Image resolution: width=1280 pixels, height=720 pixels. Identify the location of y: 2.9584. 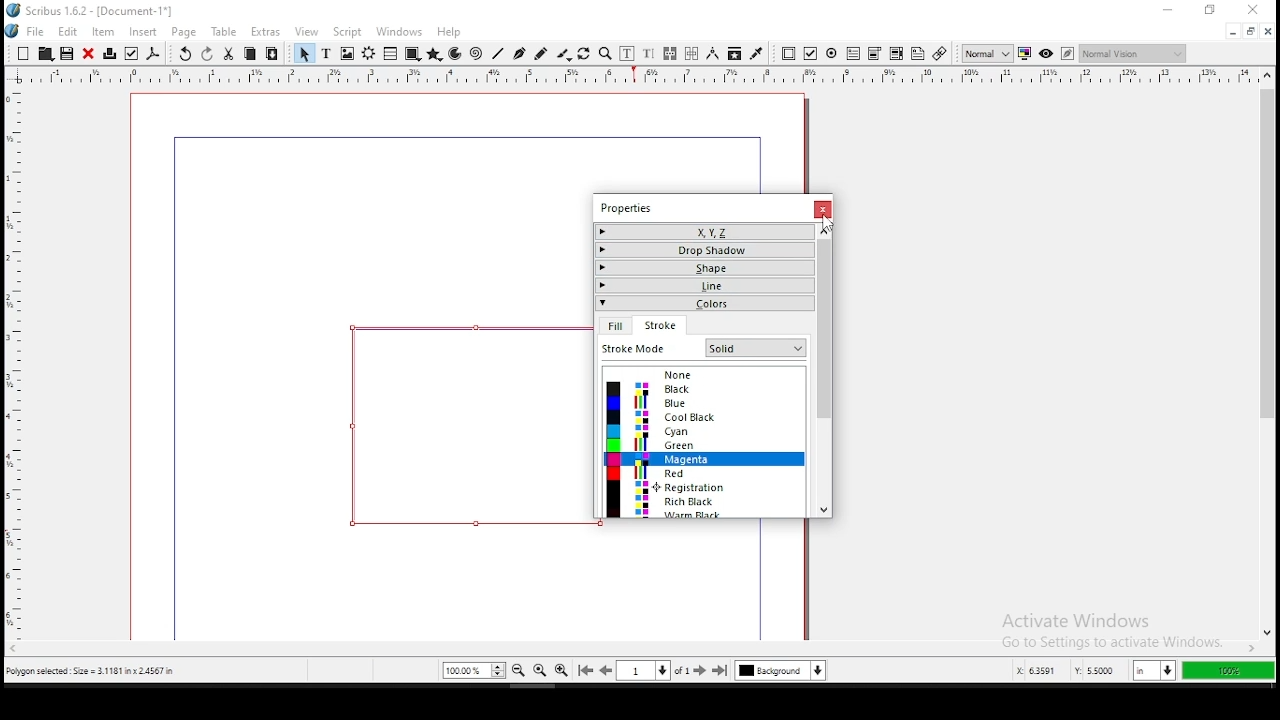
(1094, 671).